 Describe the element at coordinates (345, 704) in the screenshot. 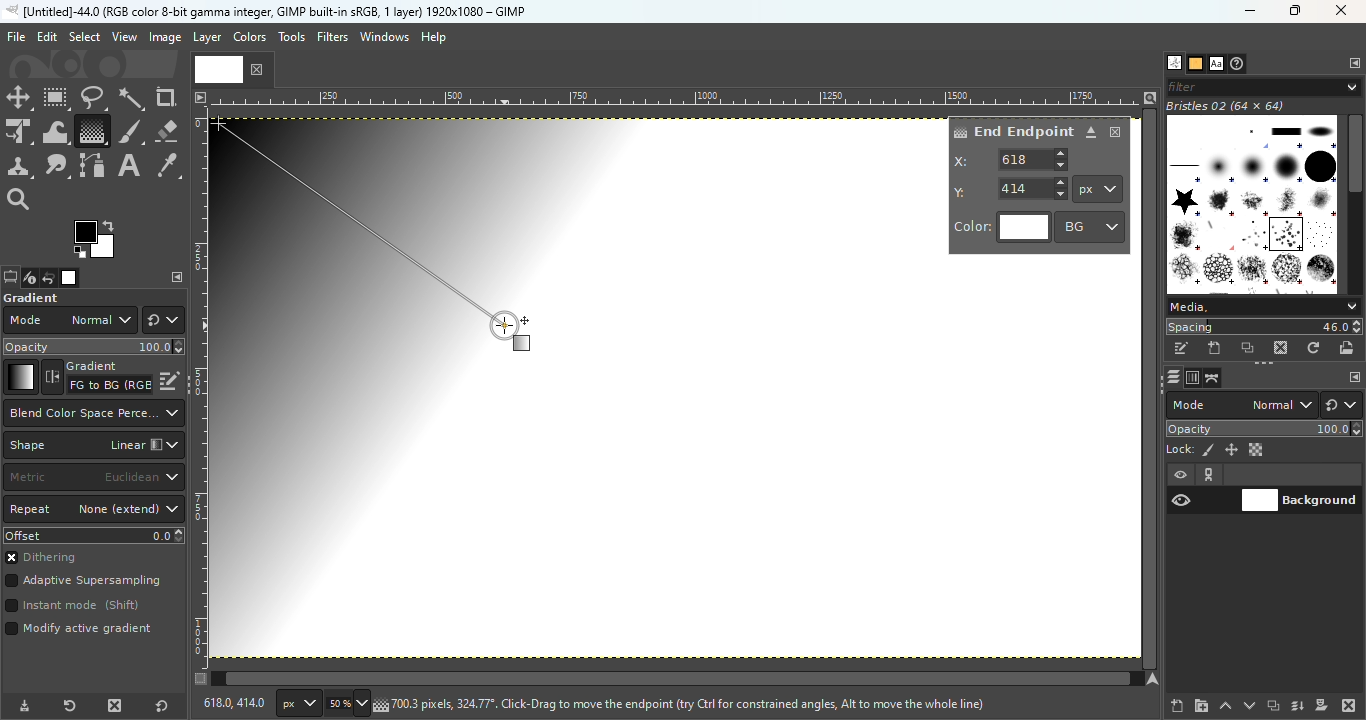

I see `Enter image size` at that location.